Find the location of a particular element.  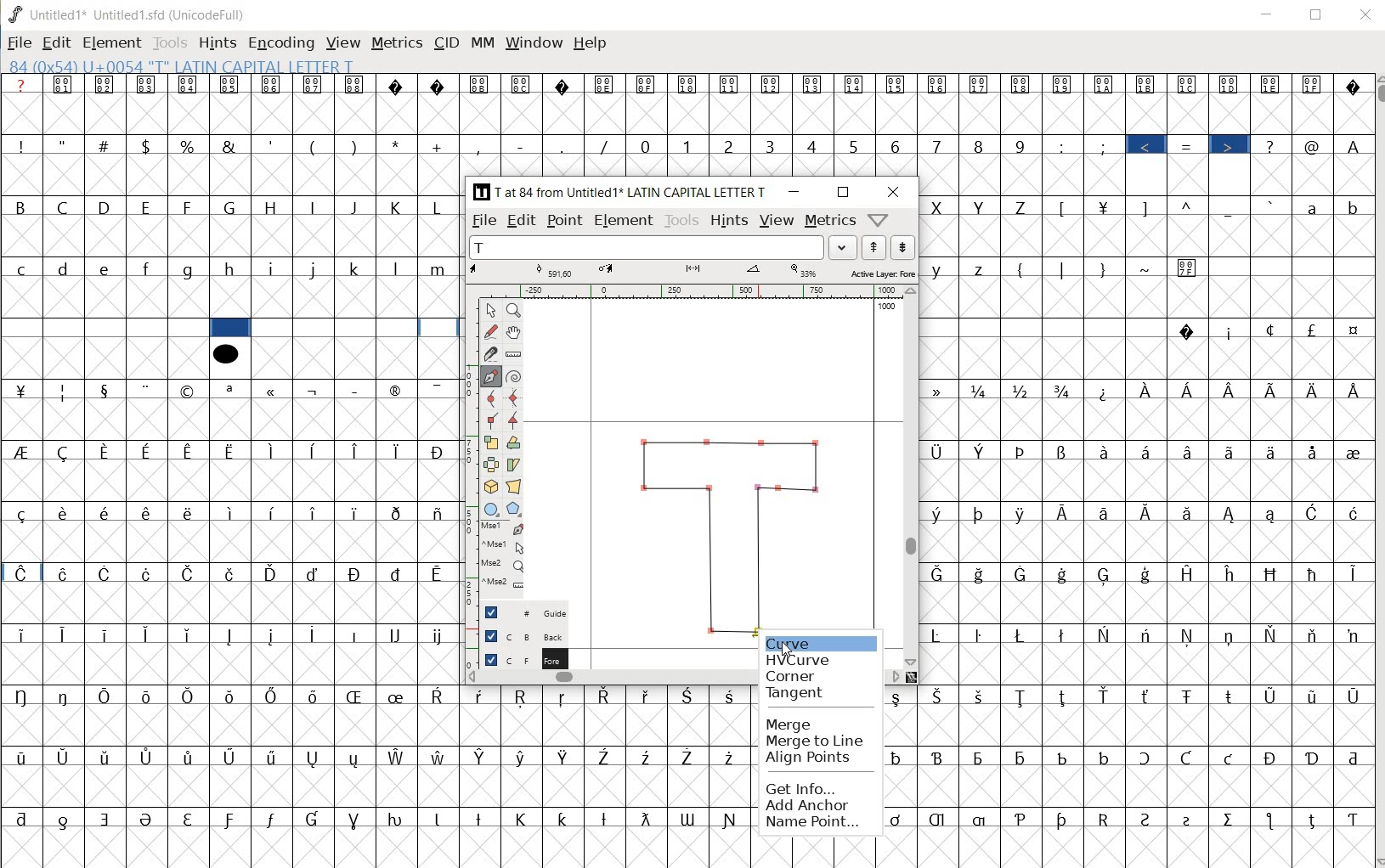

 is located at coordinates (356, 757).